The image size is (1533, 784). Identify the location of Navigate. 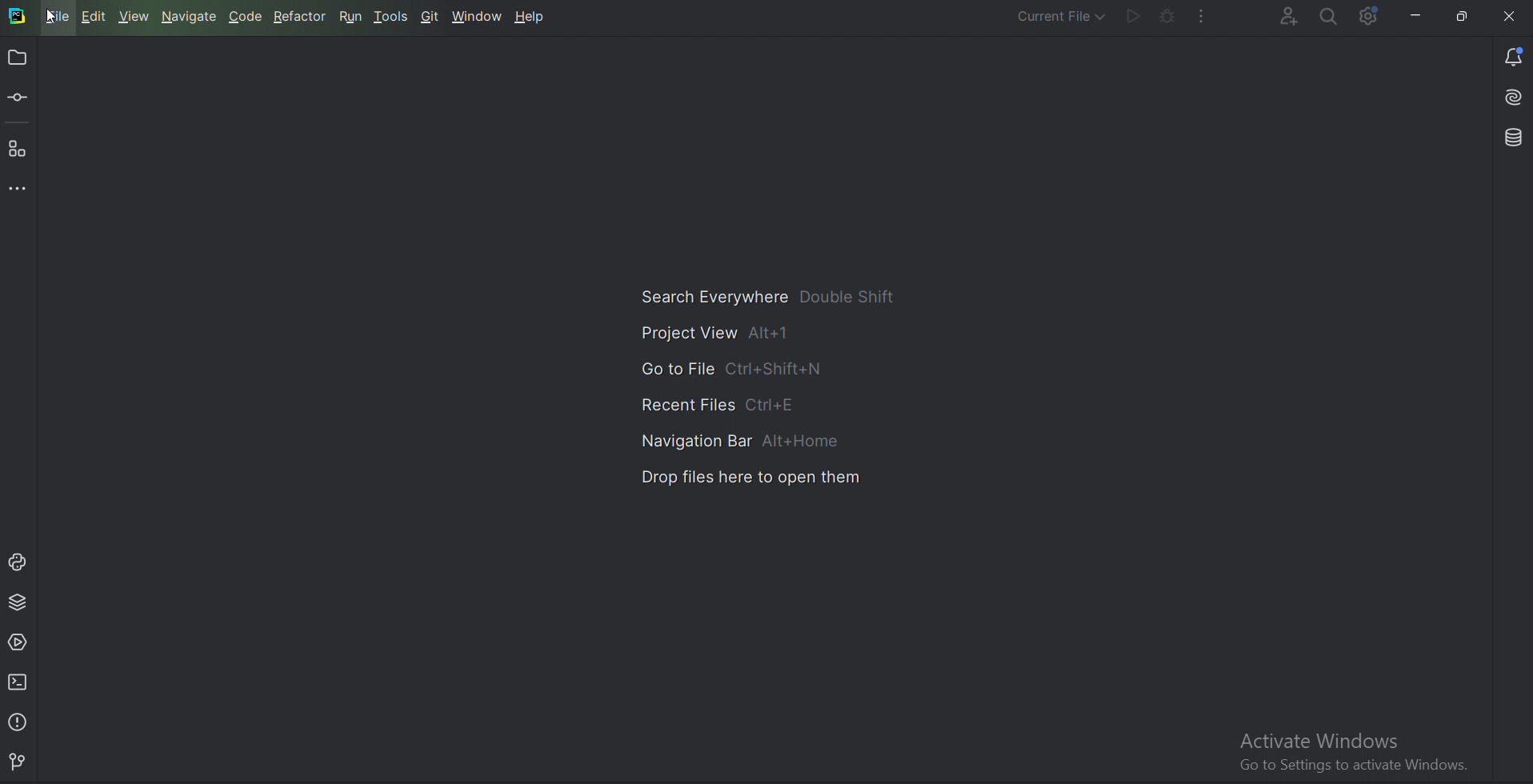
(190, 16).